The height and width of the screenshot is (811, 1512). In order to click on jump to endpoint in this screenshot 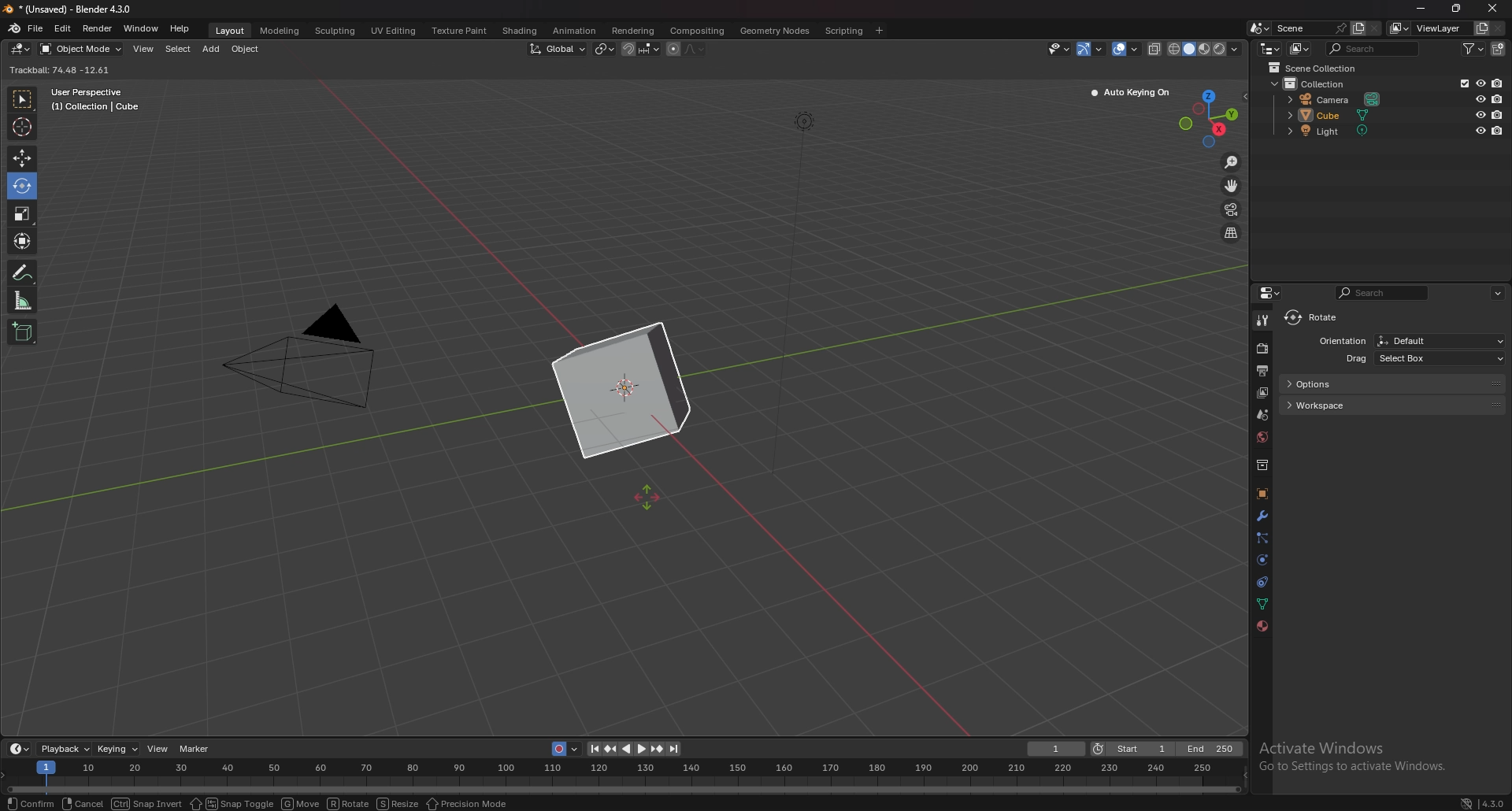, I will do `click(591, 748)`.